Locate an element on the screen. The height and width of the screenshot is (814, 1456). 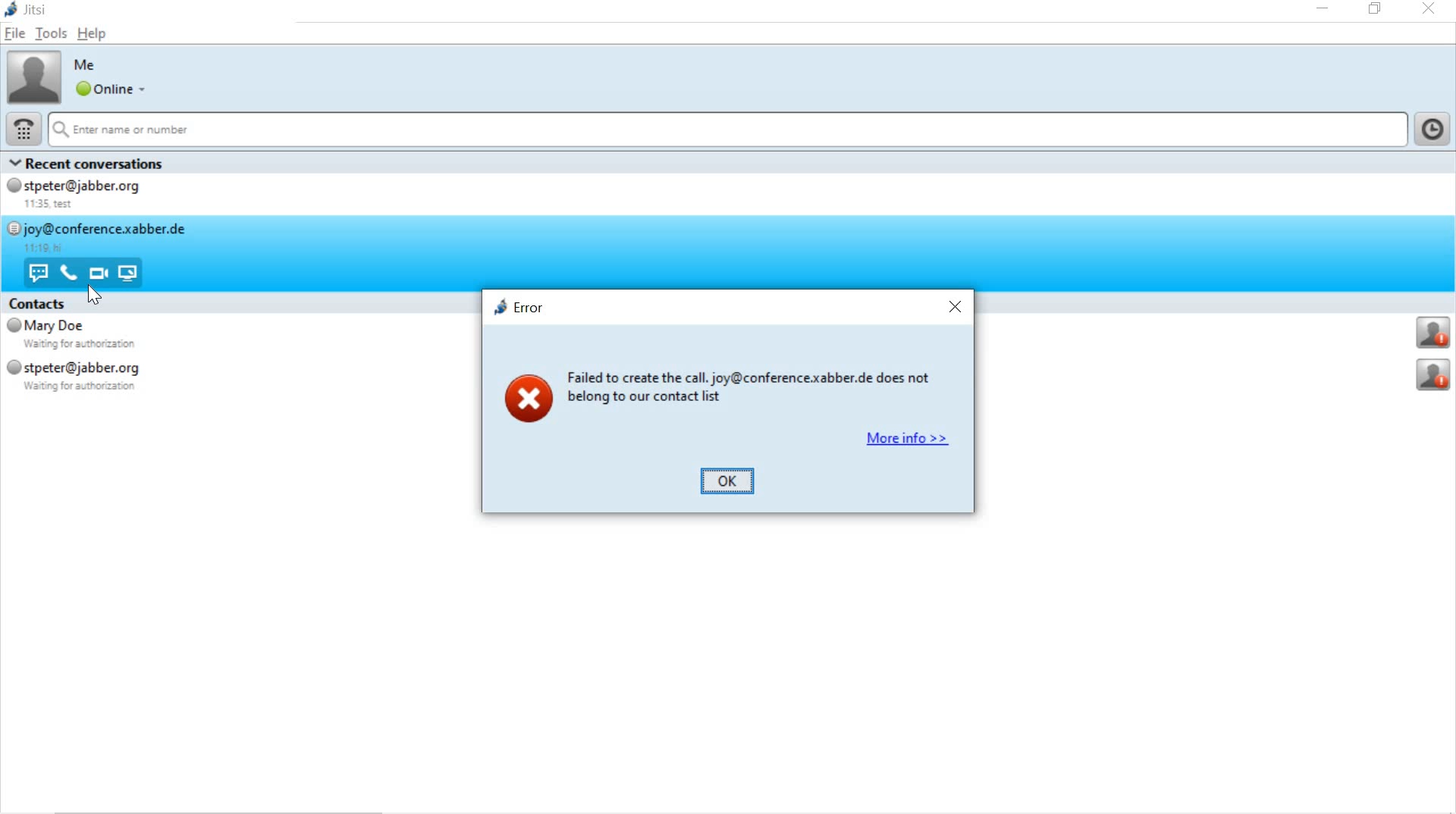
close is located at coordinates (957, 309).